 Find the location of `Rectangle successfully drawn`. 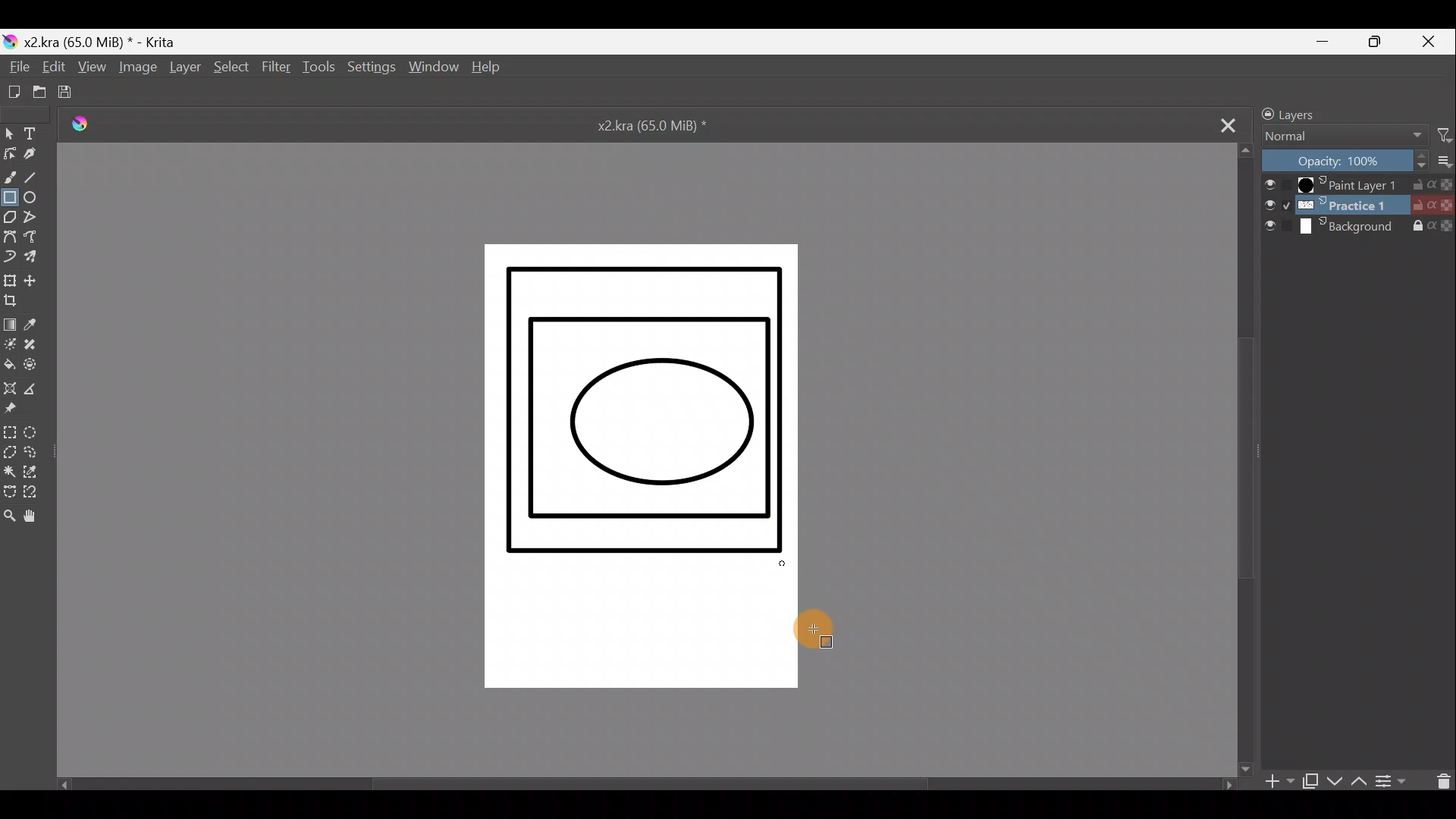

Rectangle successfully drawn is located at coordinates (643, 409).